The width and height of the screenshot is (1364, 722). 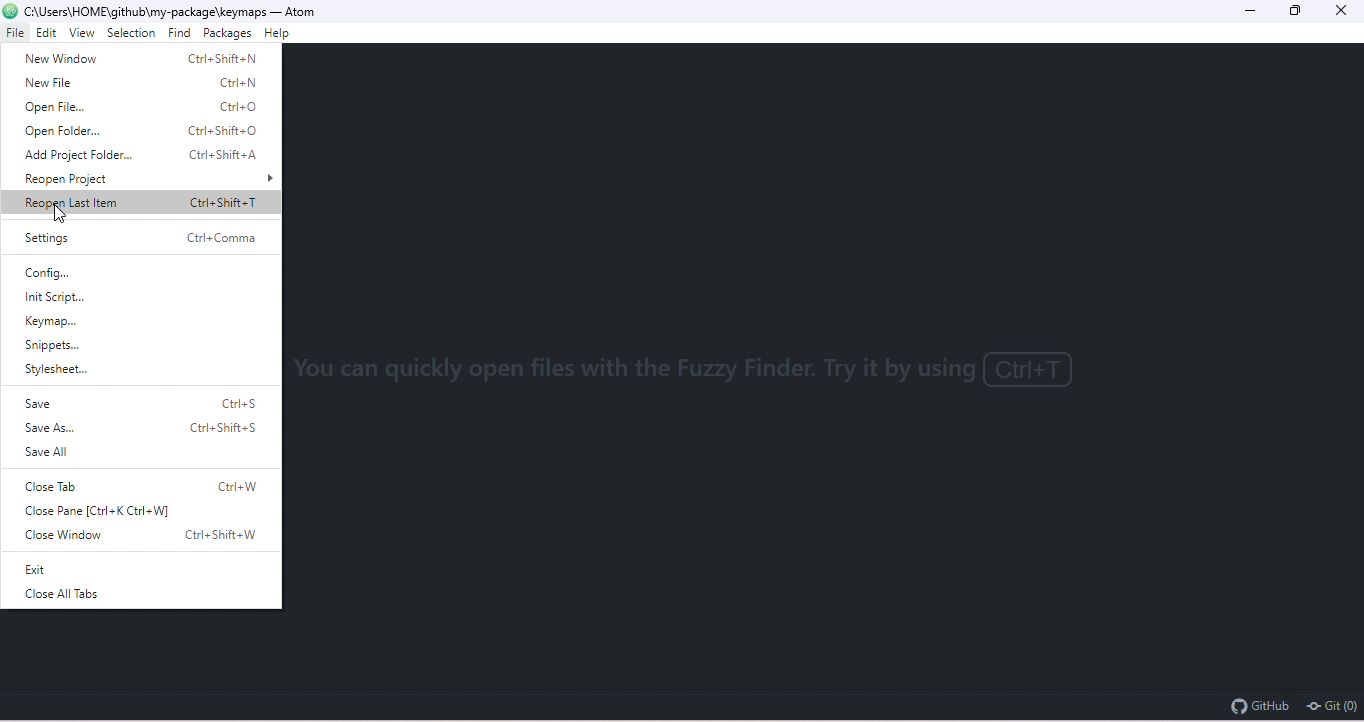 I want to click on edit, so click(x=47, y=33).